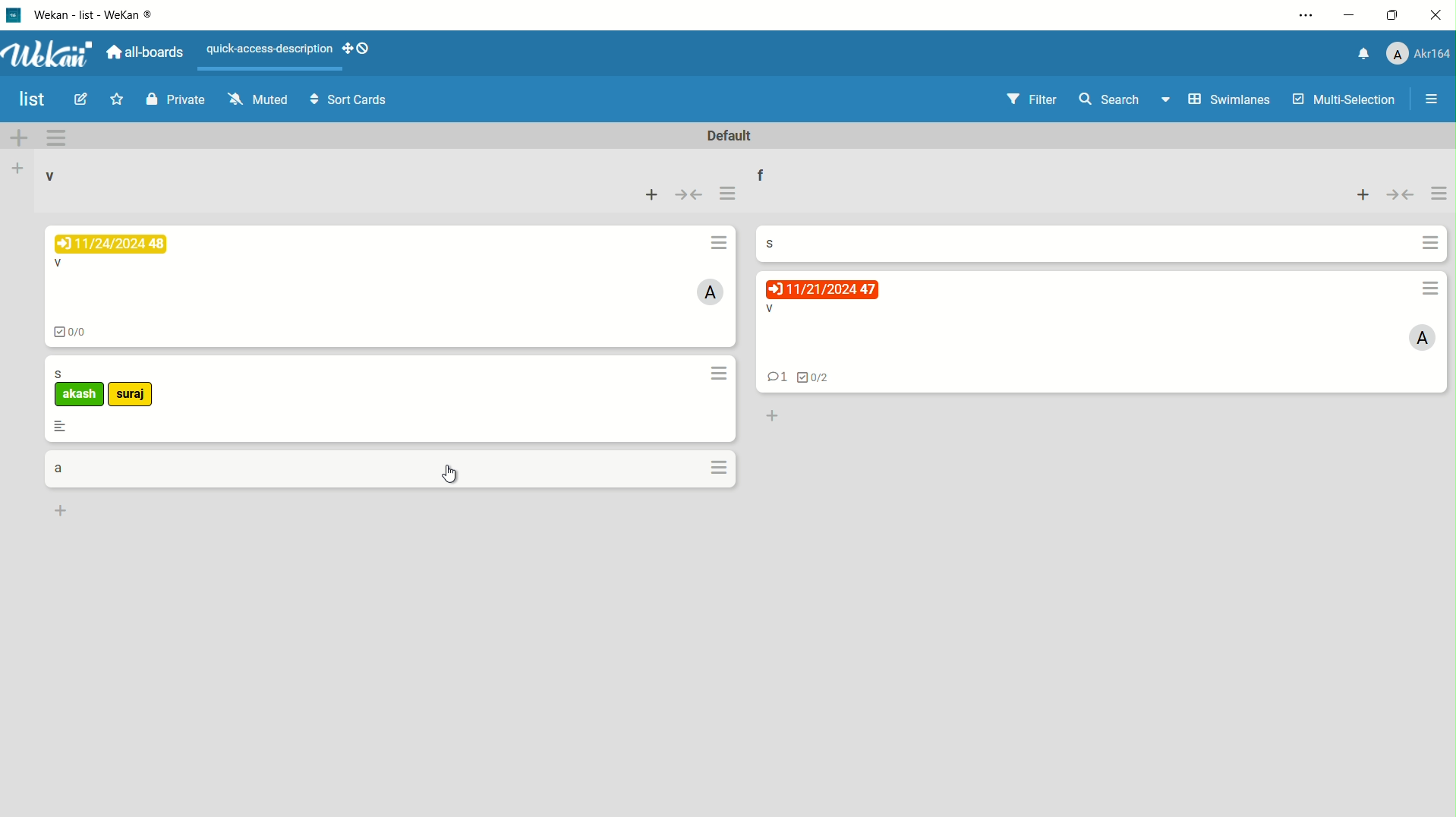  I want to click on sort cards, so click(351, 101).